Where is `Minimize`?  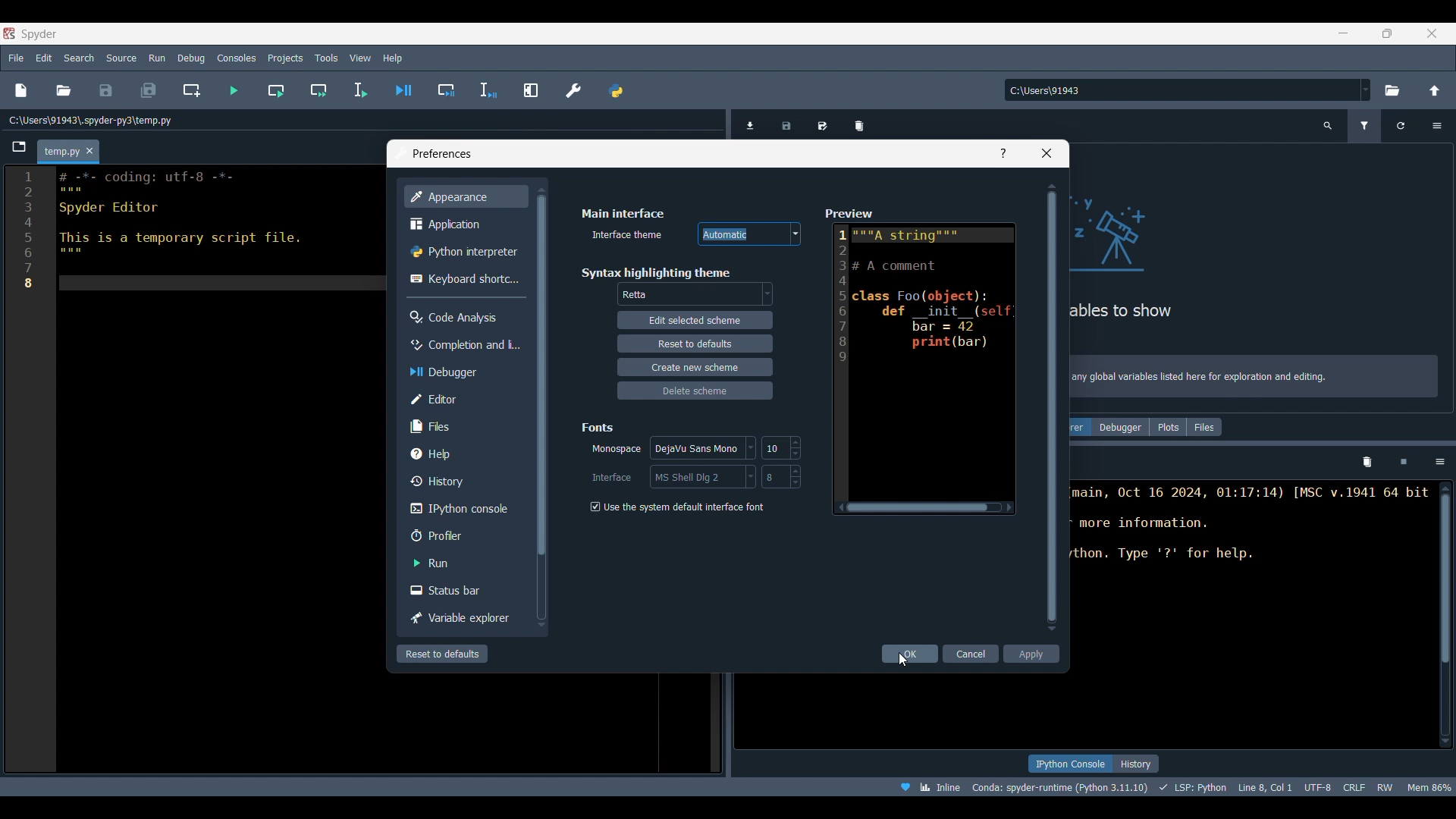
Minimize is located at coordinates (1349, 36).